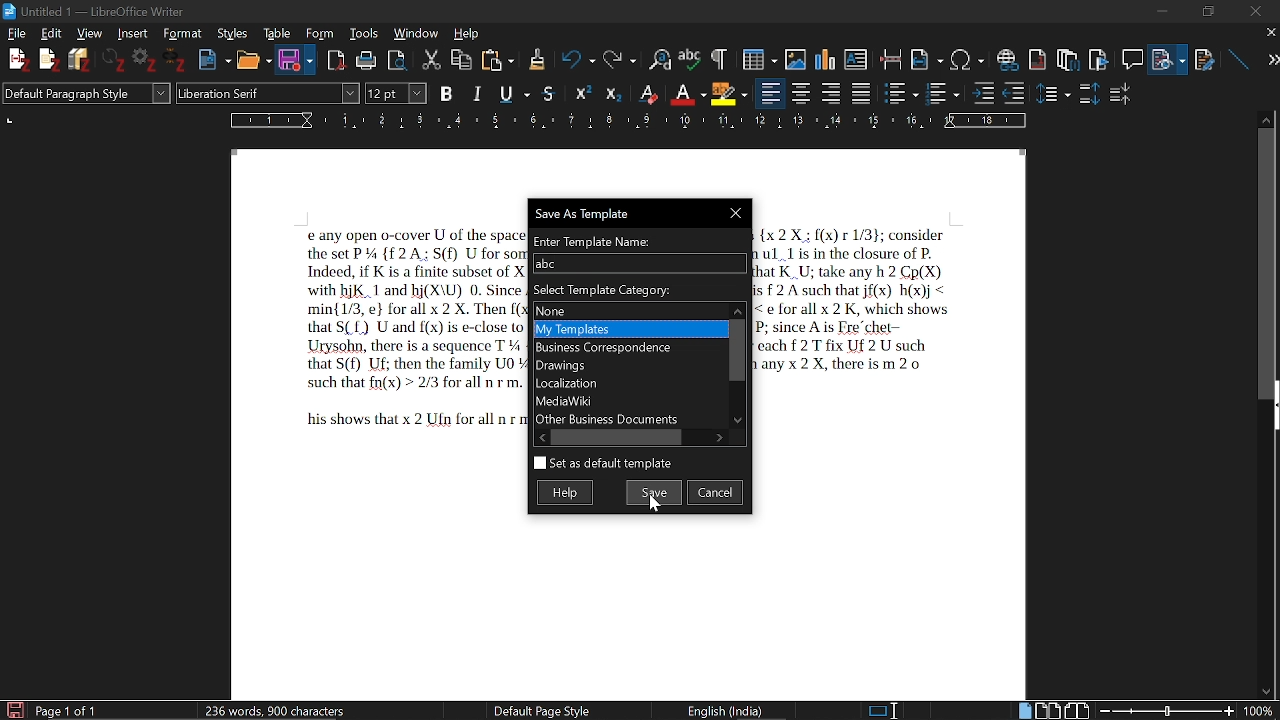  What do you see at coordinates (550, 93) in the screenshot?
I see `Strike through` at bounding box center [550, 93].